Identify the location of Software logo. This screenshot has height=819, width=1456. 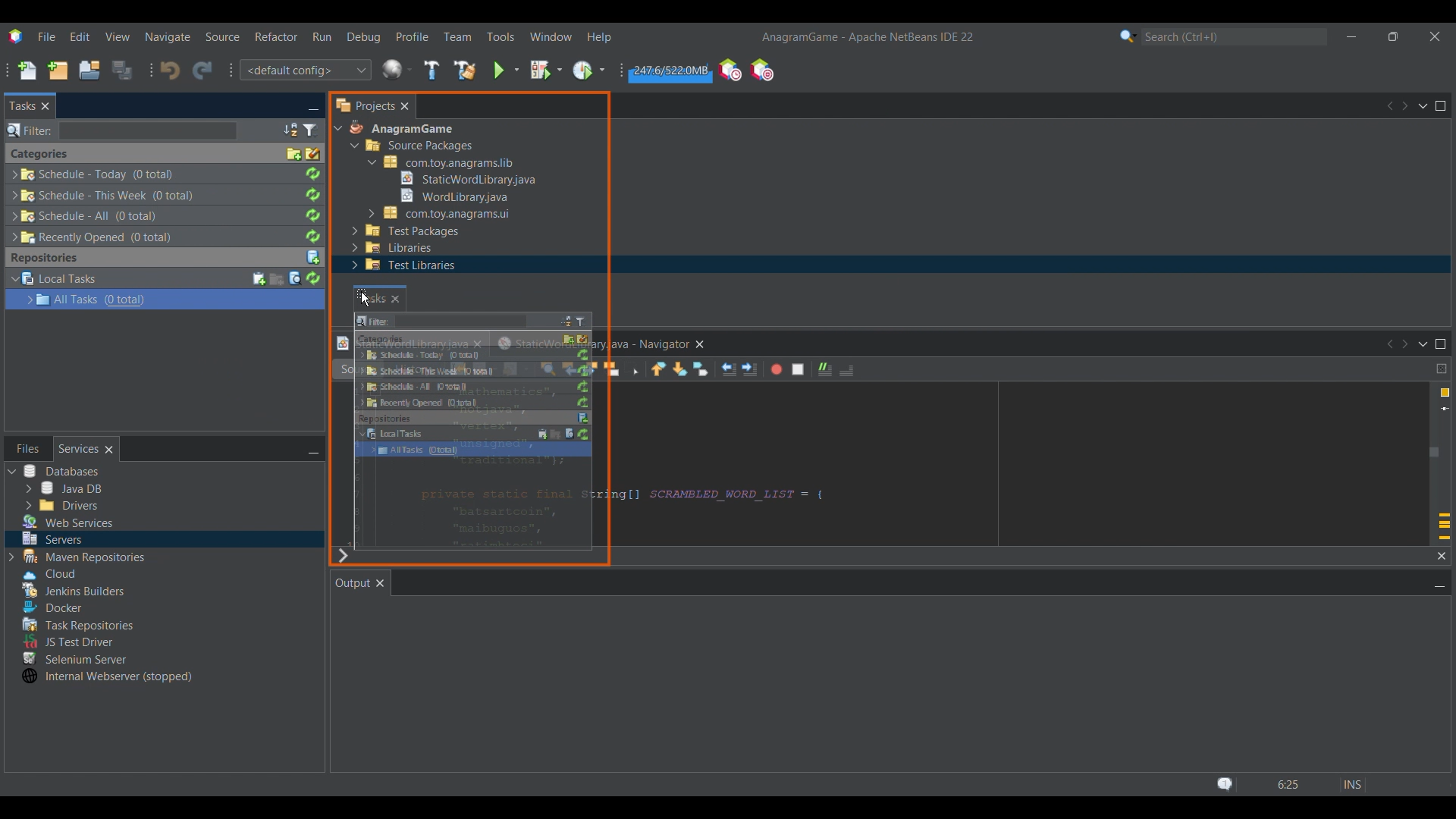
(16, 36).